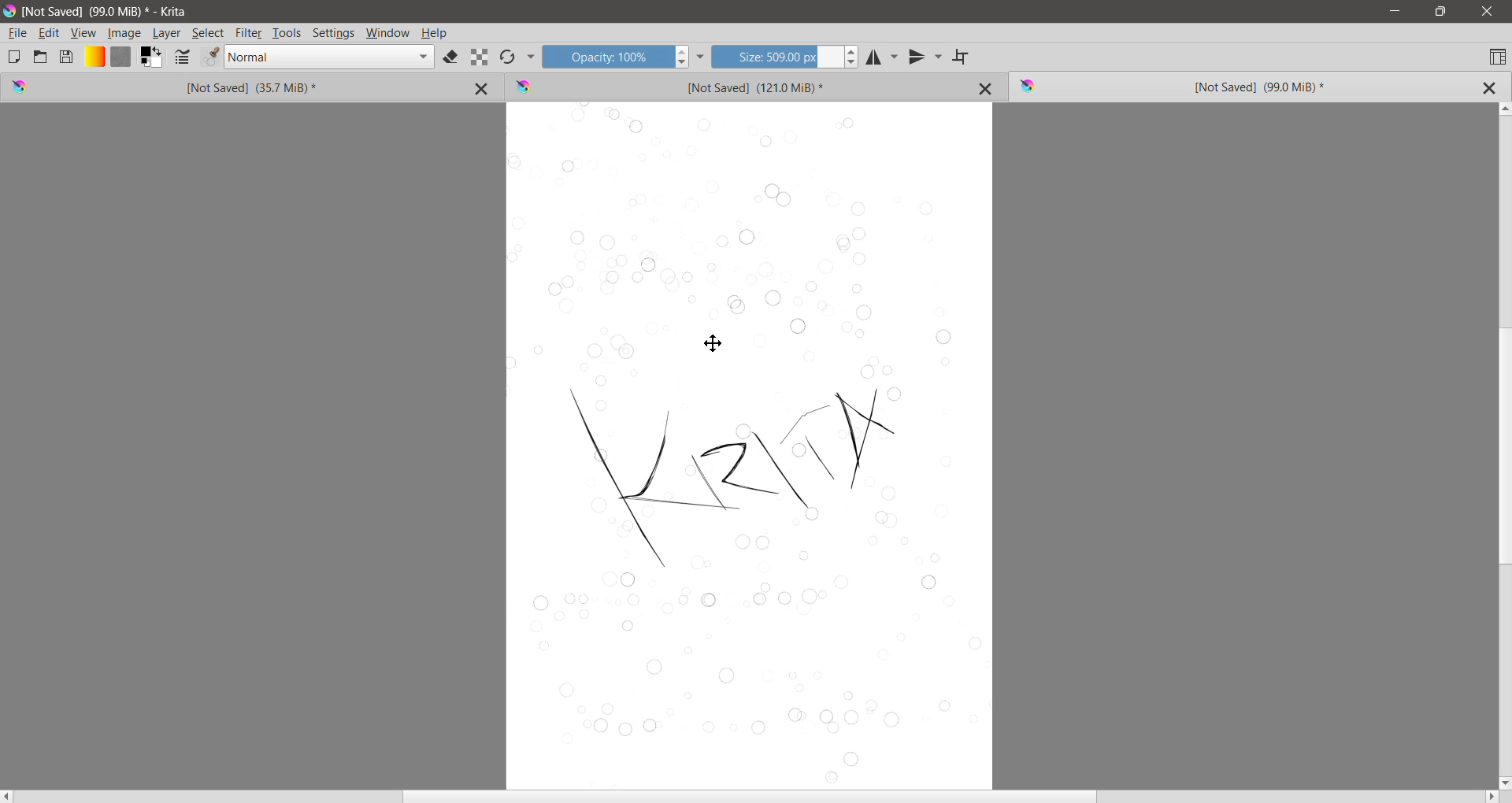 The height and width of the screenshot is (803, 1512). What do you see at coordinates (1503, 445) in the screenshot?
I see `Vertical Scroll Bar` at bounding box center [1503, 445].